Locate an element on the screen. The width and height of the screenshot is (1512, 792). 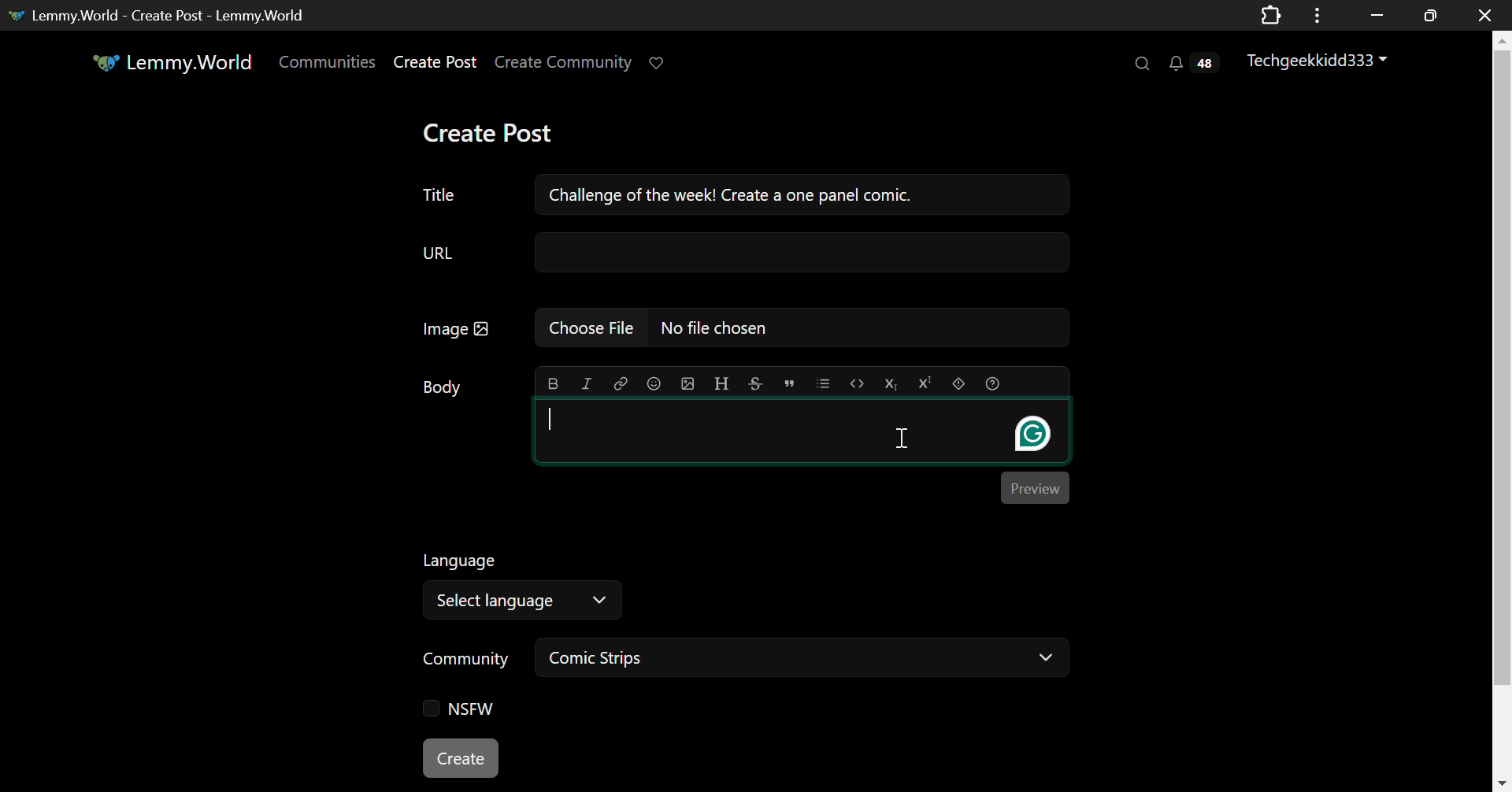
link is located at coordinates (617, 383).